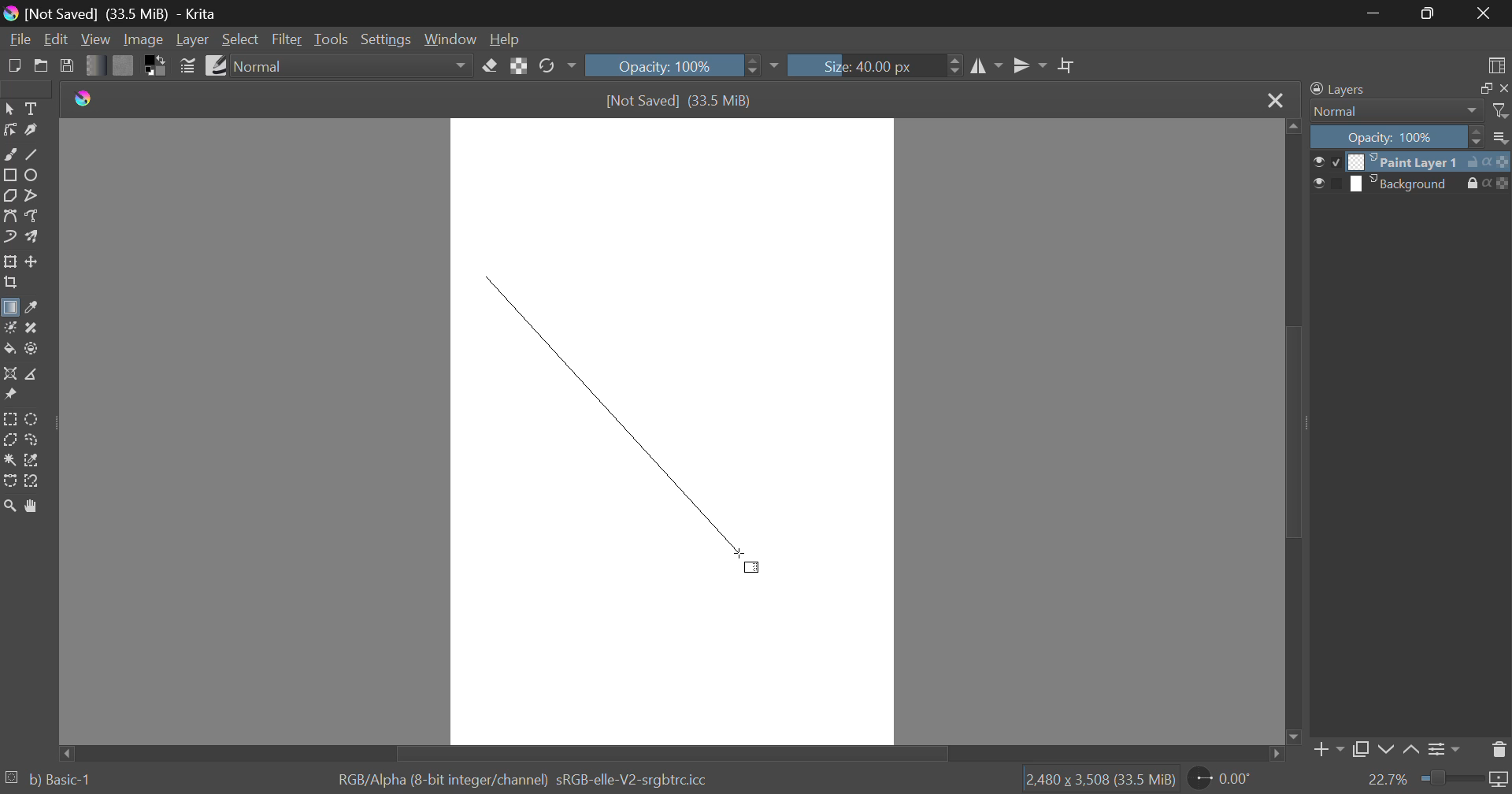 This screenshot has width=1512, height=794. I want to click on Calligraphic Line, so click(30, 130).